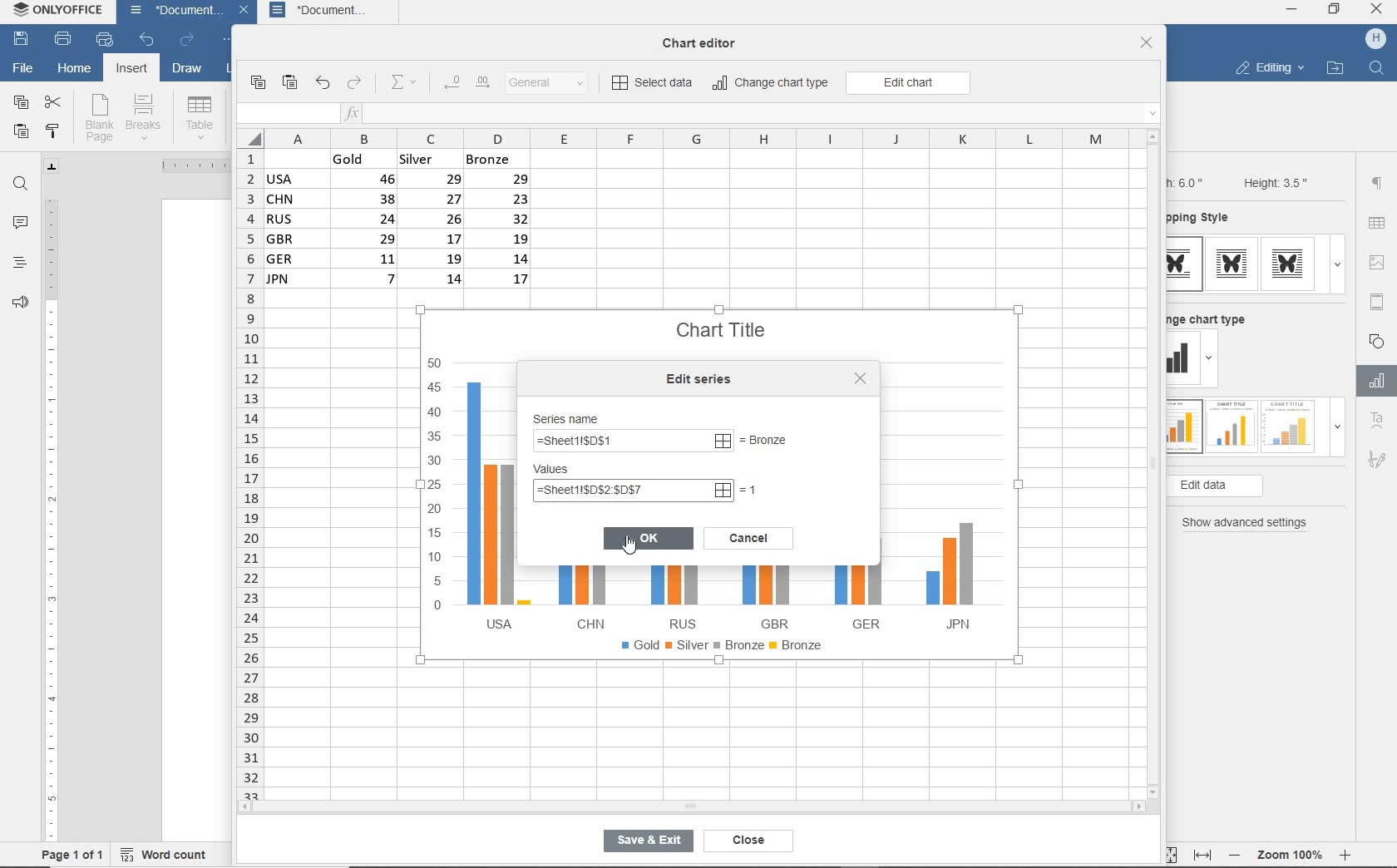  Describe the element at coordinates (632, 491) in the screenshot. I see `highlighted` at that location.